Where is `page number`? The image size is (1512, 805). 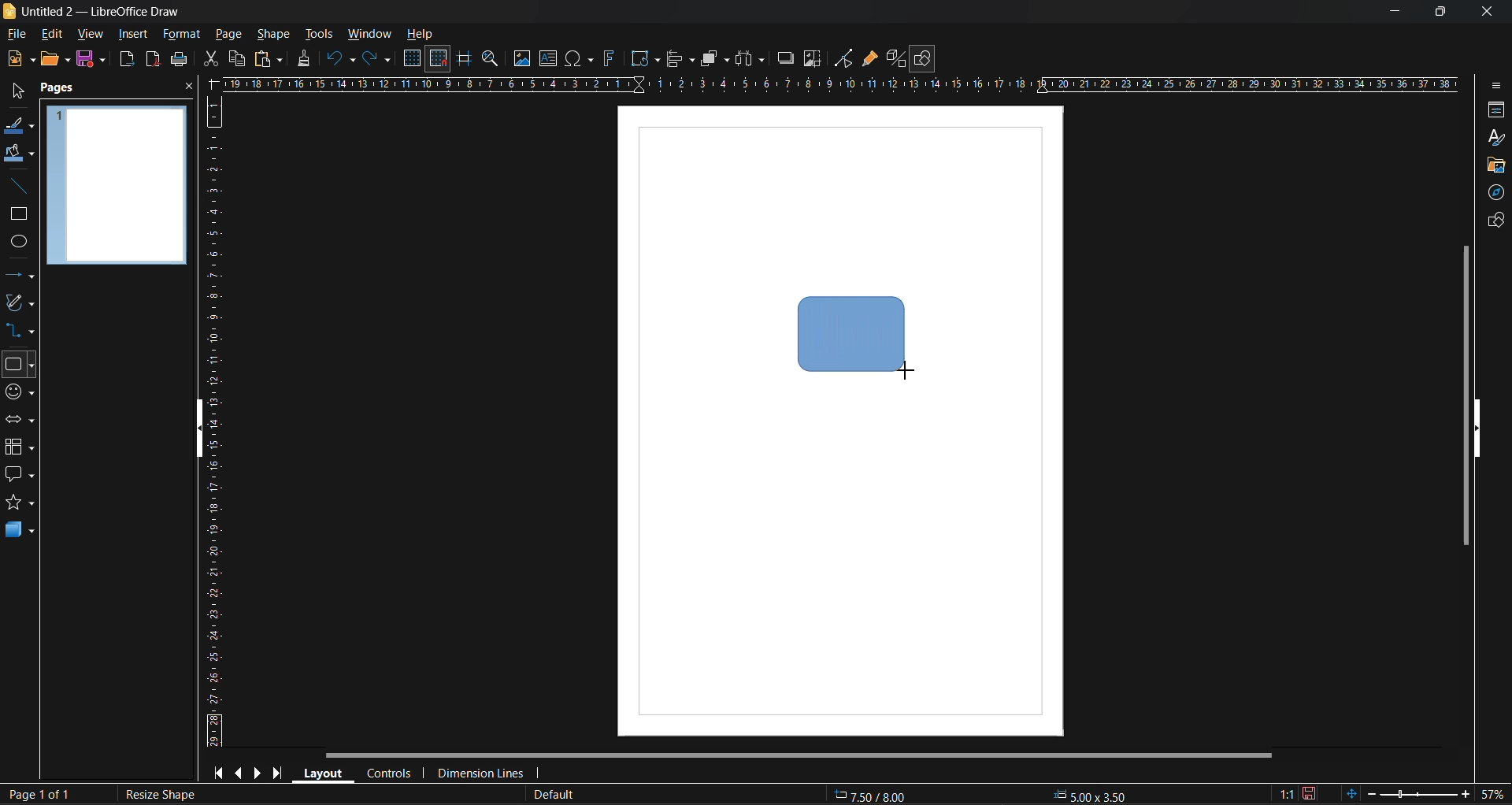 page number is located at coordinates (36, 795).